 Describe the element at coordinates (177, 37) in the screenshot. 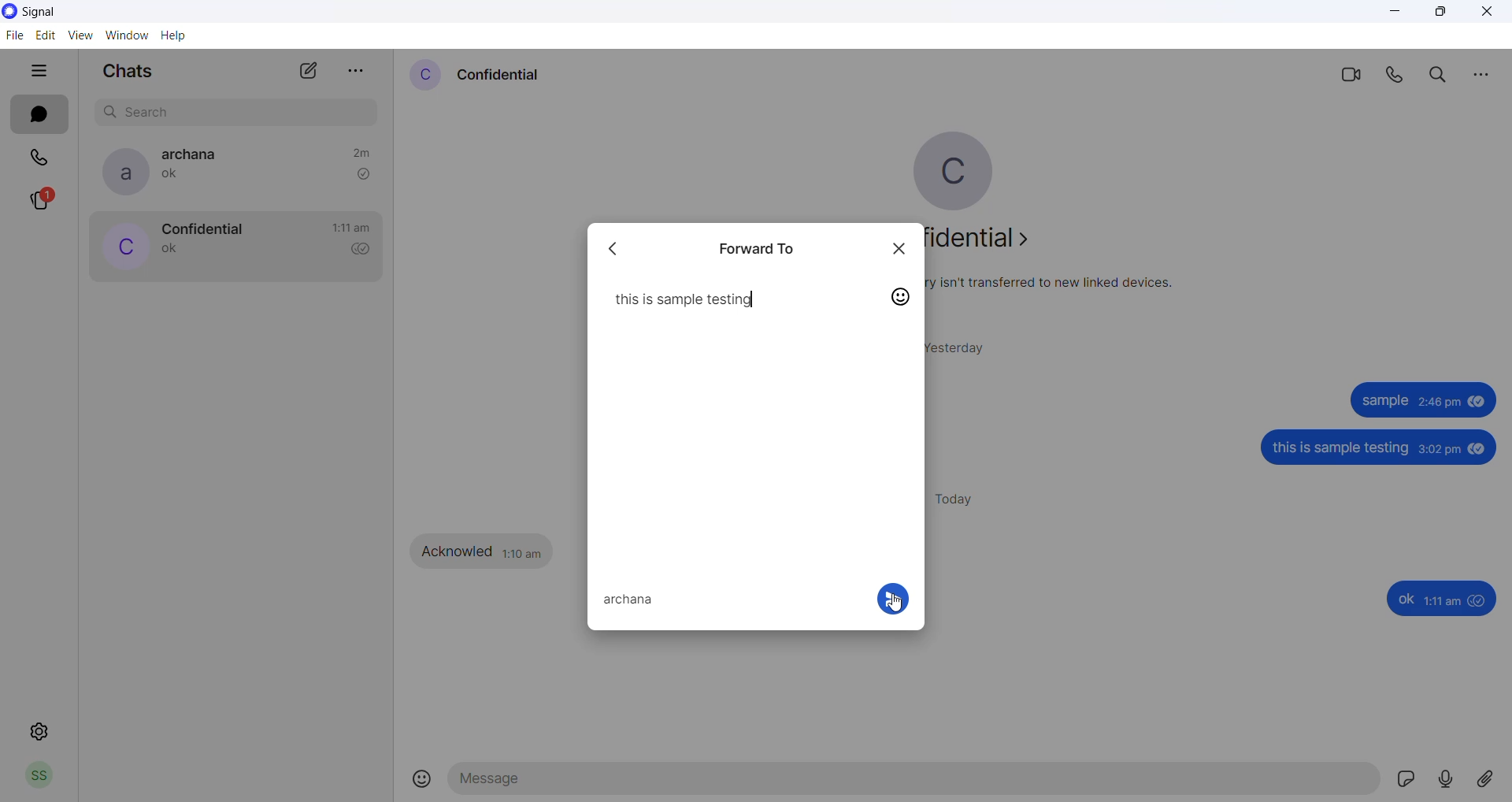

I see `help` at that location.